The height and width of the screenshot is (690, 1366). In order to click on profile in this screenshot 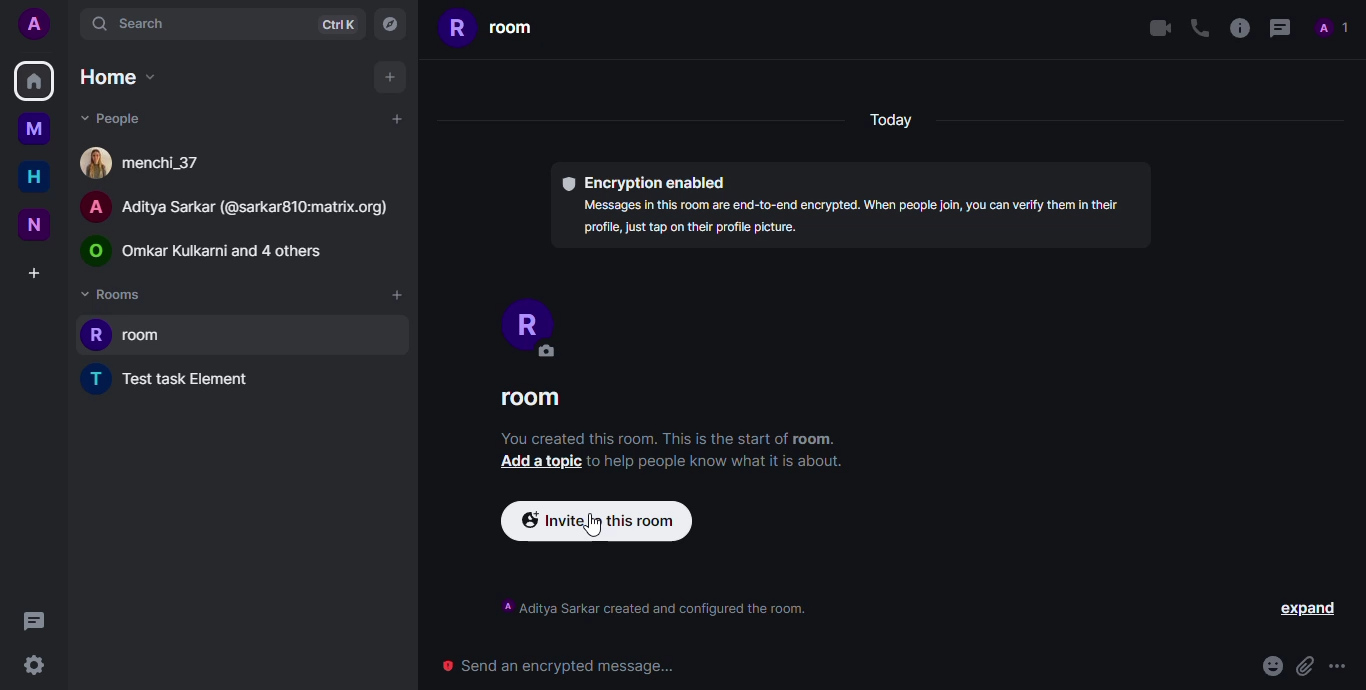, I will do `click(529, 324)`.